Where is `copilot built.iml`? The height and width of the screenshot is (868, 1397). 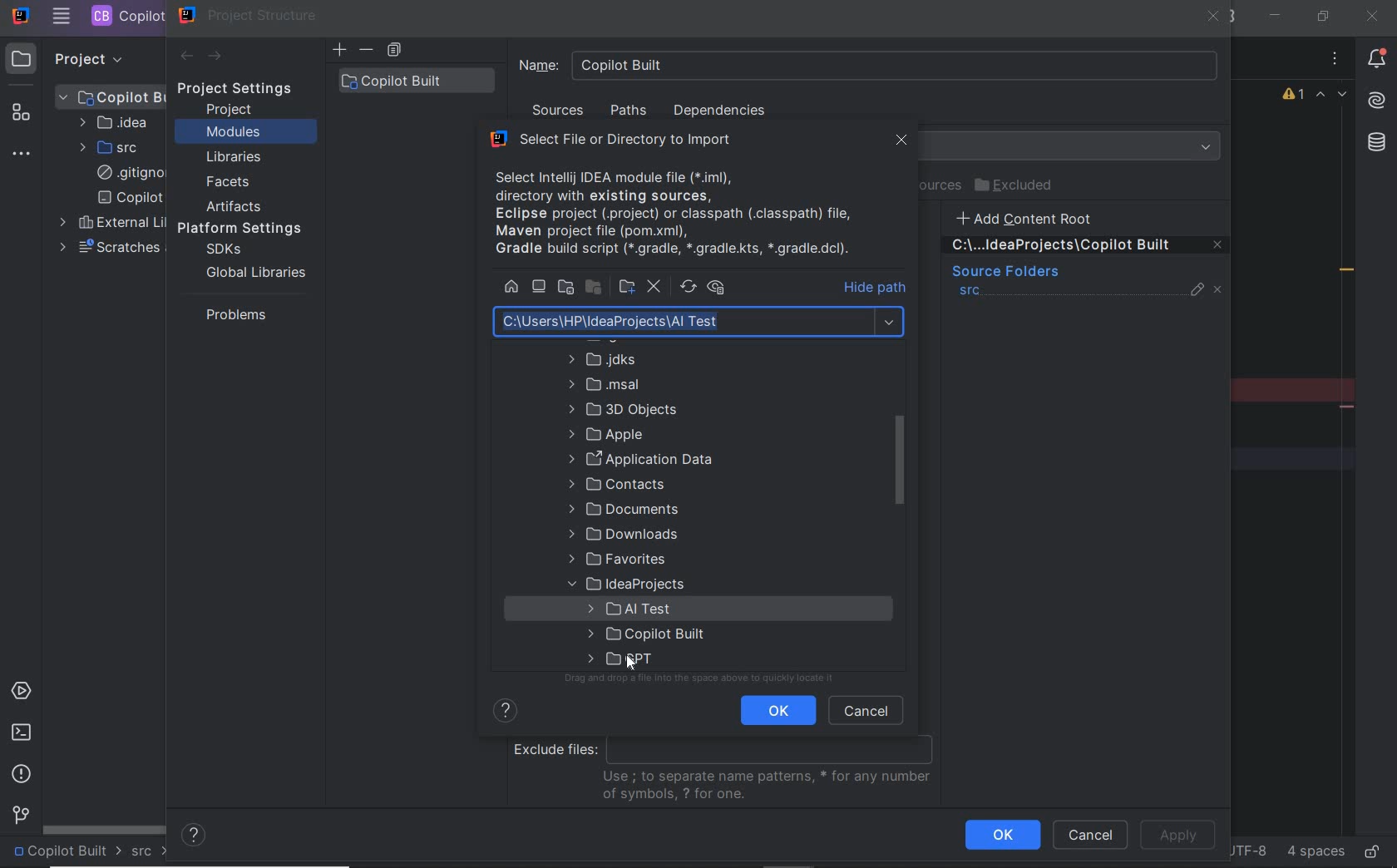
copilot built.iml is located at coordinates (130, 198).